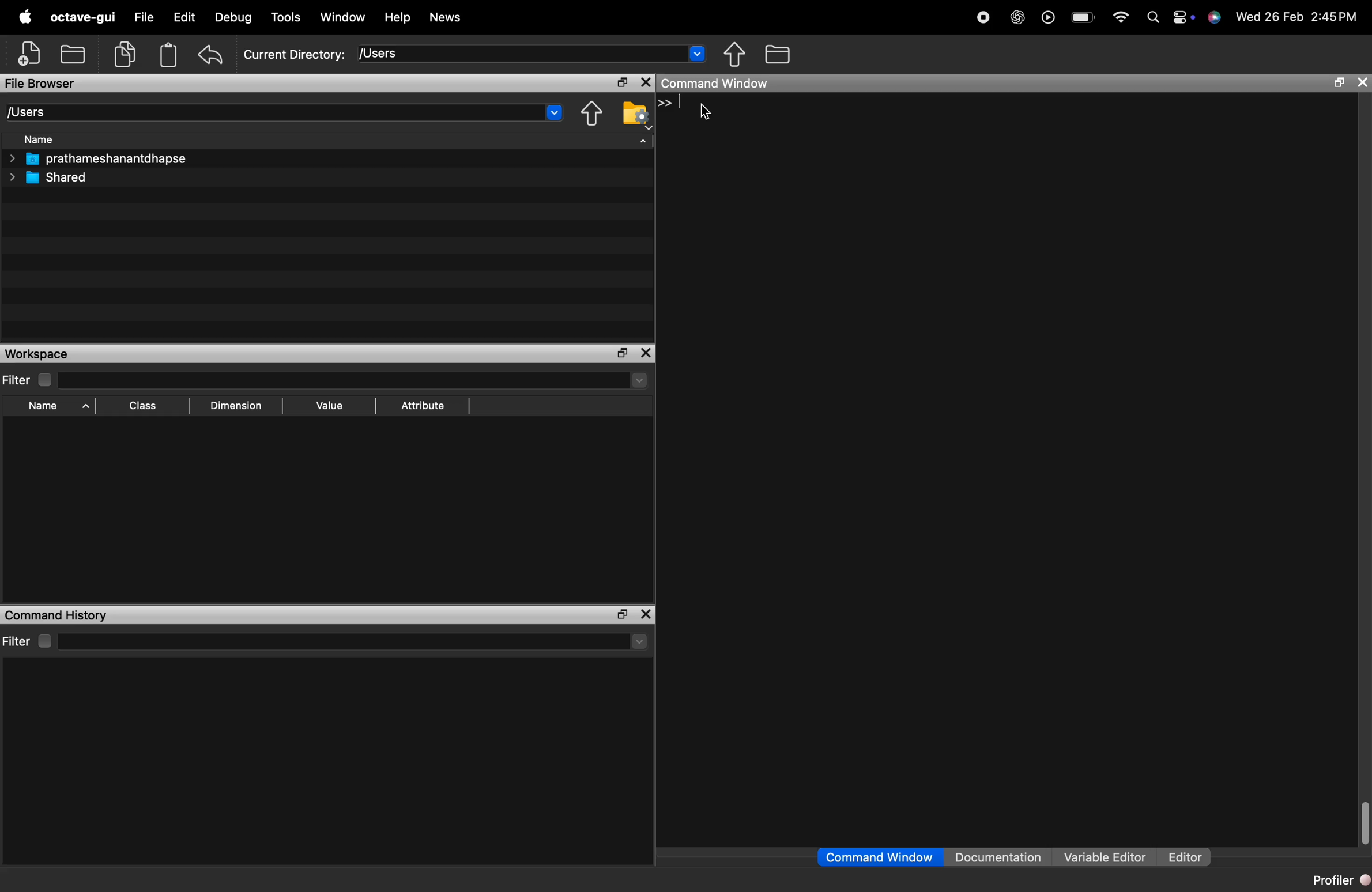 The height and width of the screenshot is (892, 1372). Describe the element at coordinates (721, 84) in the screenshot. I see `Command Window` at that location.